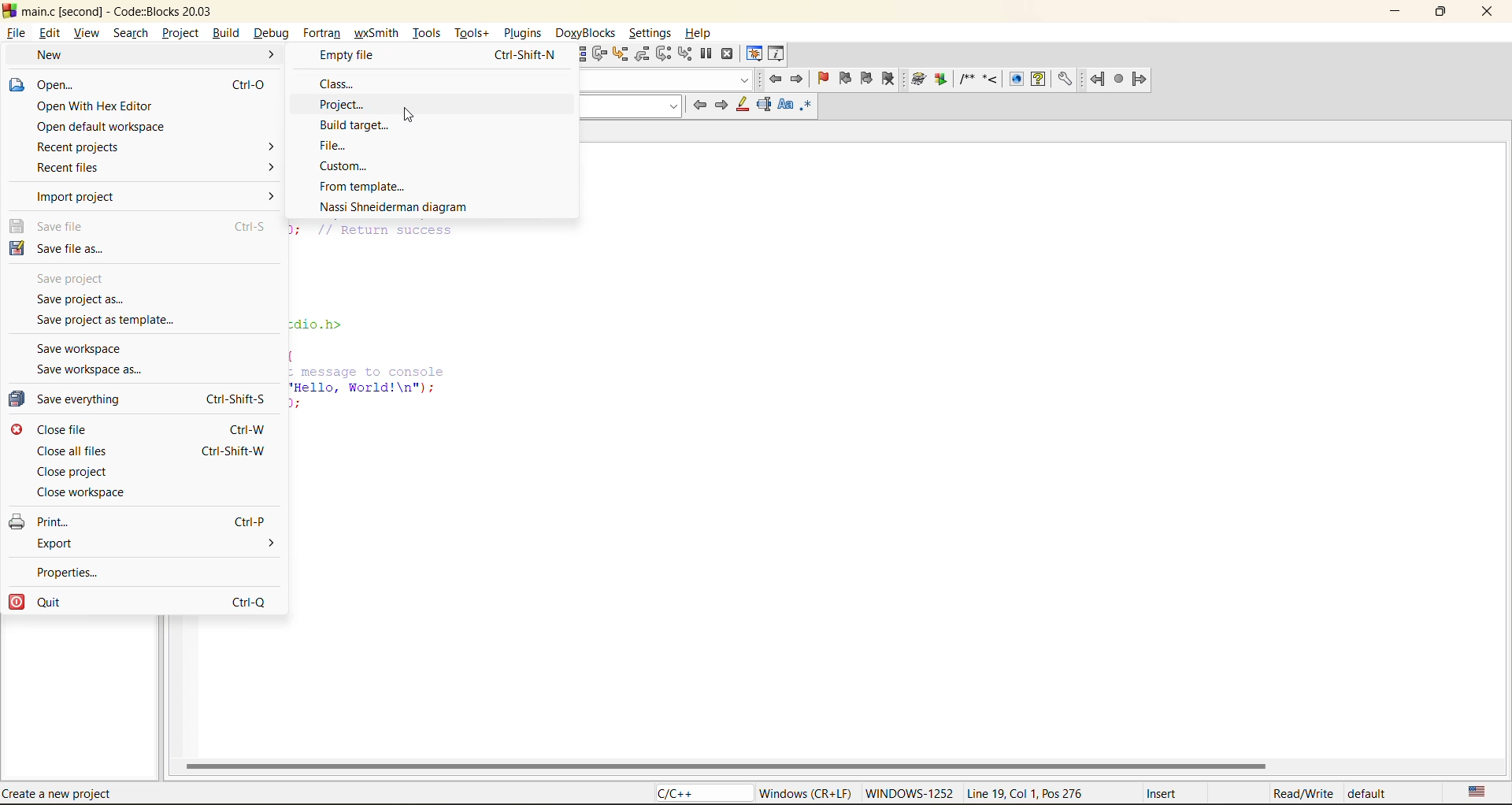 The height and width of the screenshot is (805, 1512). Describe the element at coordinates (664, 53) in the screenshot. I see `next instruction` at that location.